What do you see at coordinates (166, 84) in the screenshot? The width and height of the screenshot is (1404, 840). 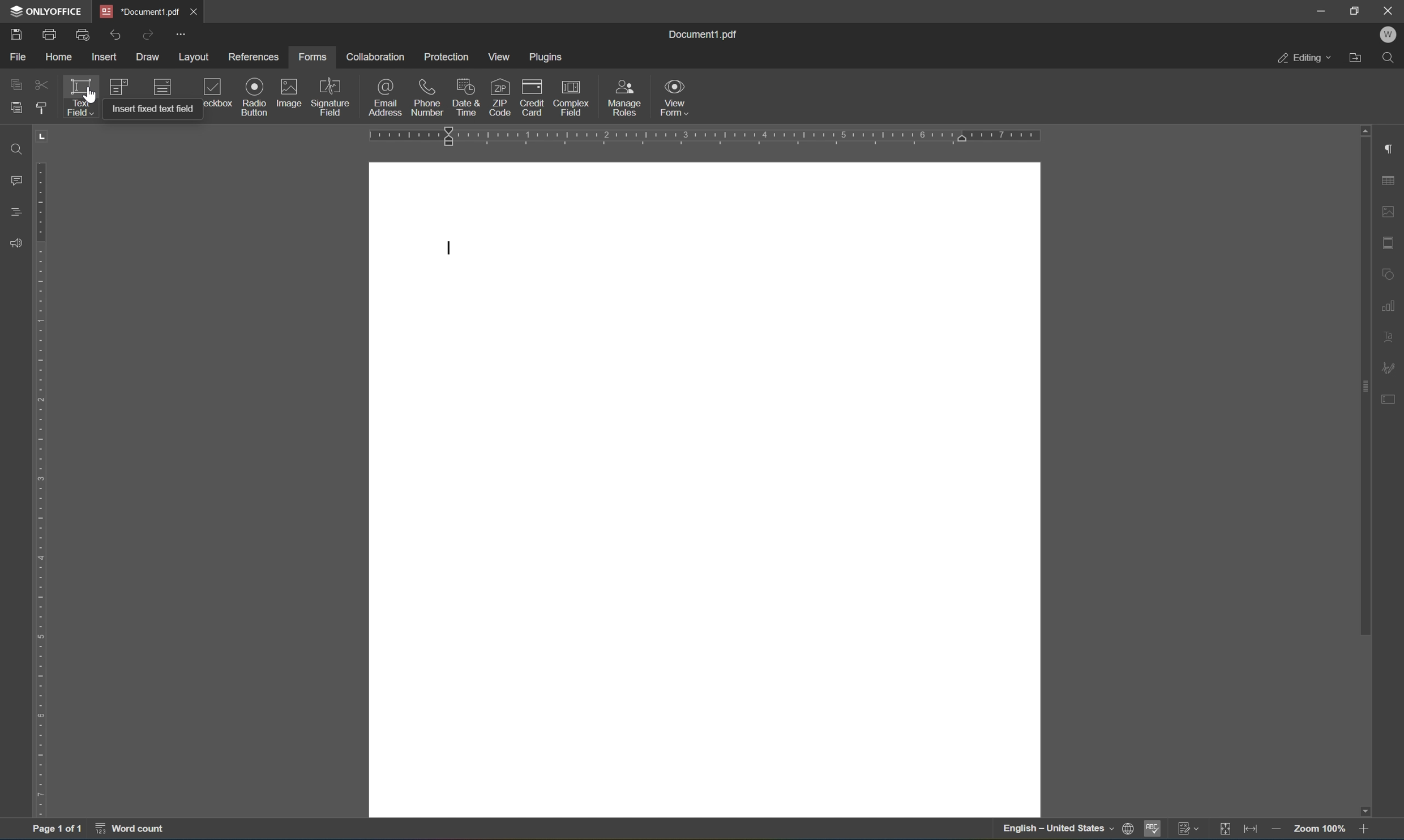 I see `dropdown ` at bounding box center [166, 84].